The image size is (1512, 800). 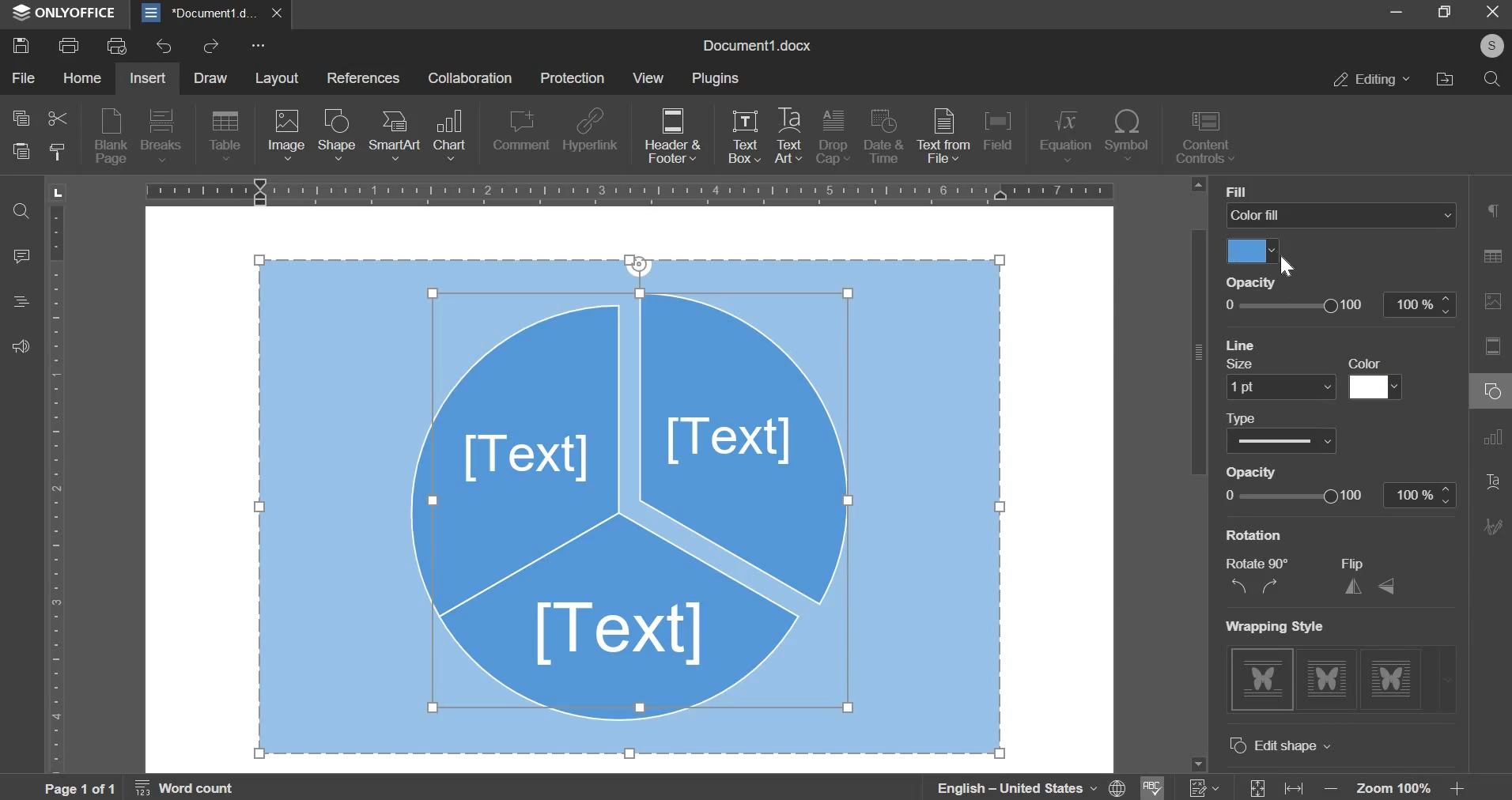 I want to click on line color, so click(x=1378, y=387).